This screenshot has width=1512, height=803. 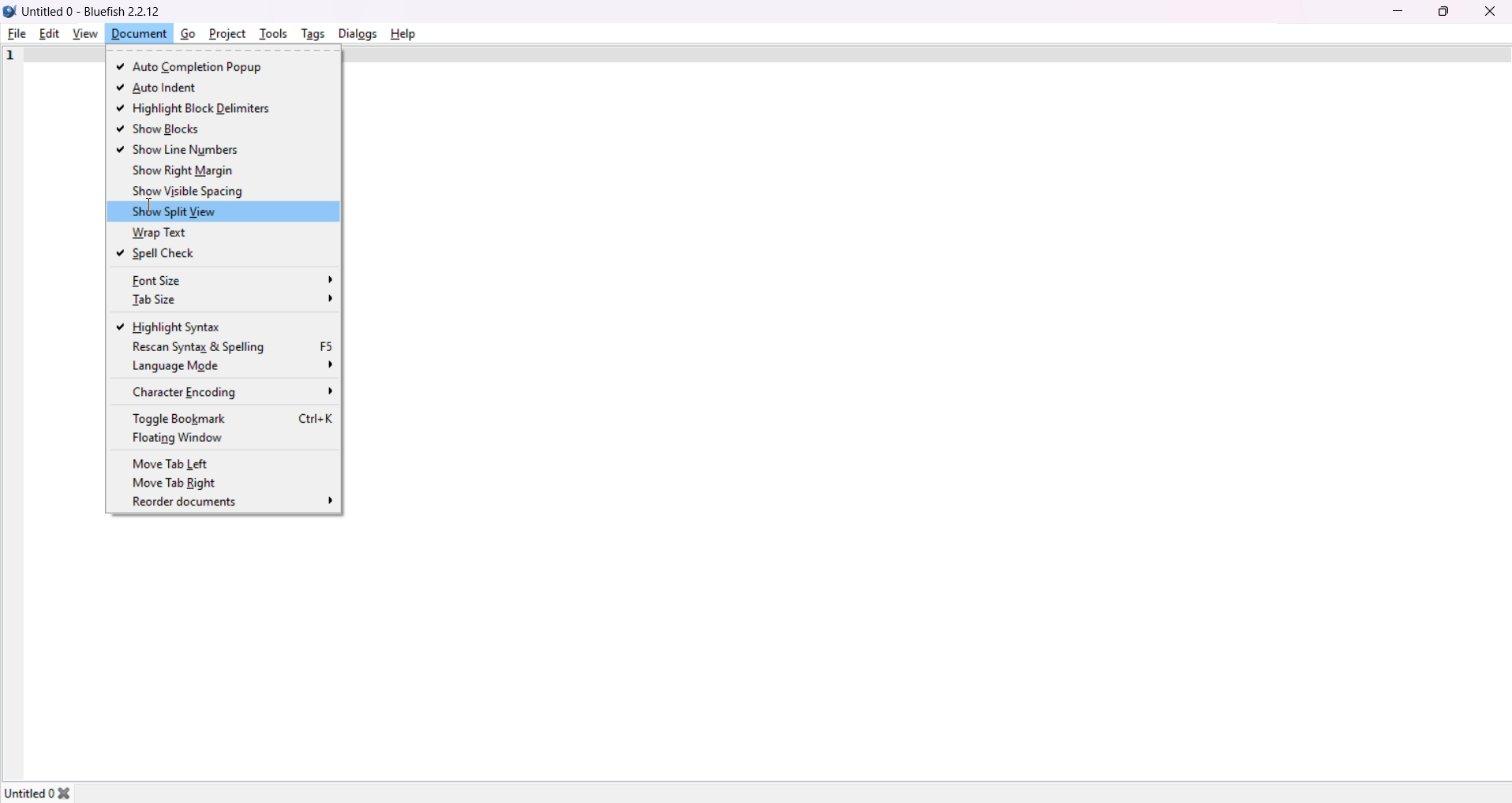 What do you see at coordinates (99, 11) in the screenshot?
I see `Untitled 0 - Bluefish 22.12` at bounding box center [99, 11].